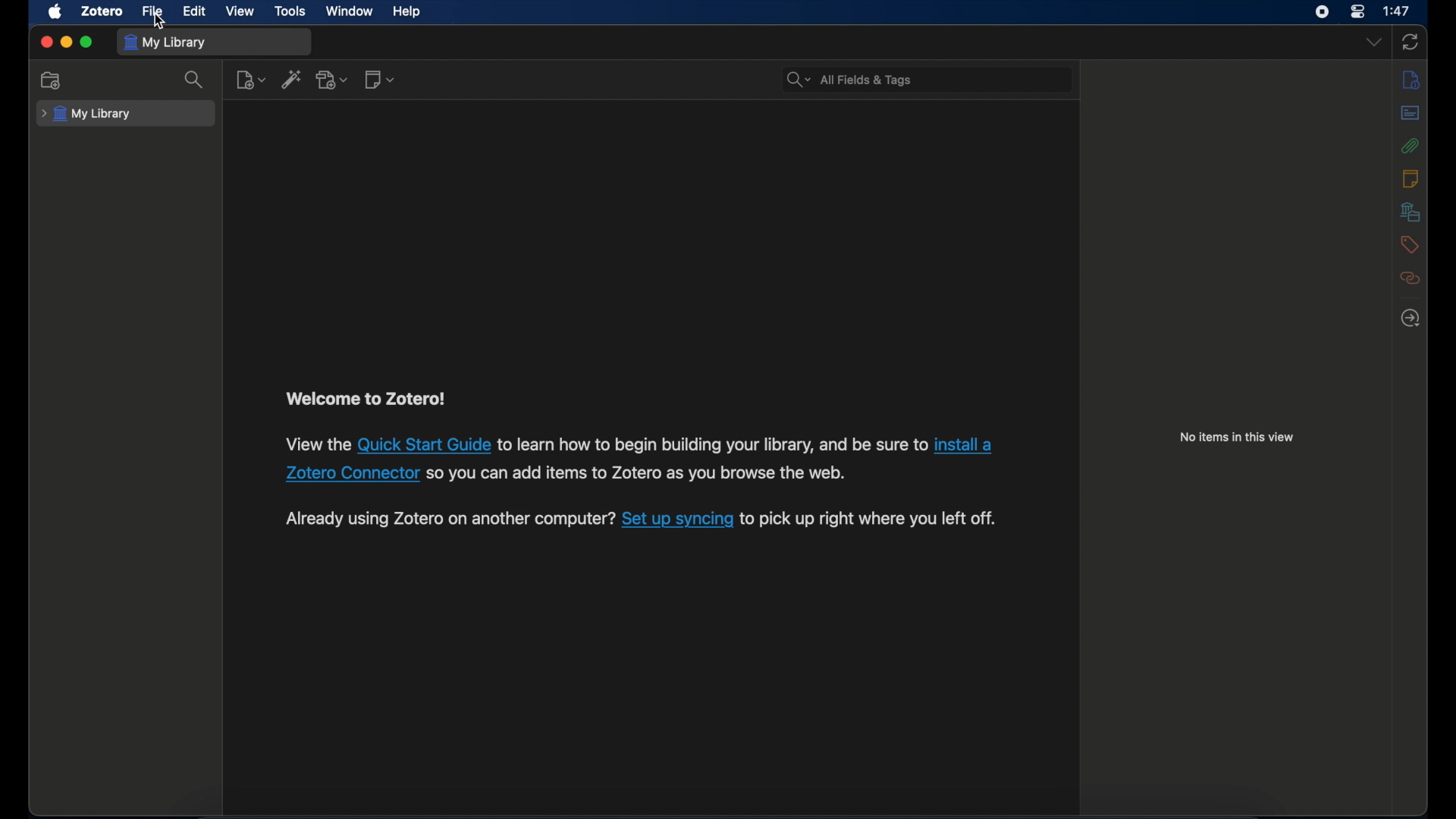  I want to click on install a, so click(966, 442).